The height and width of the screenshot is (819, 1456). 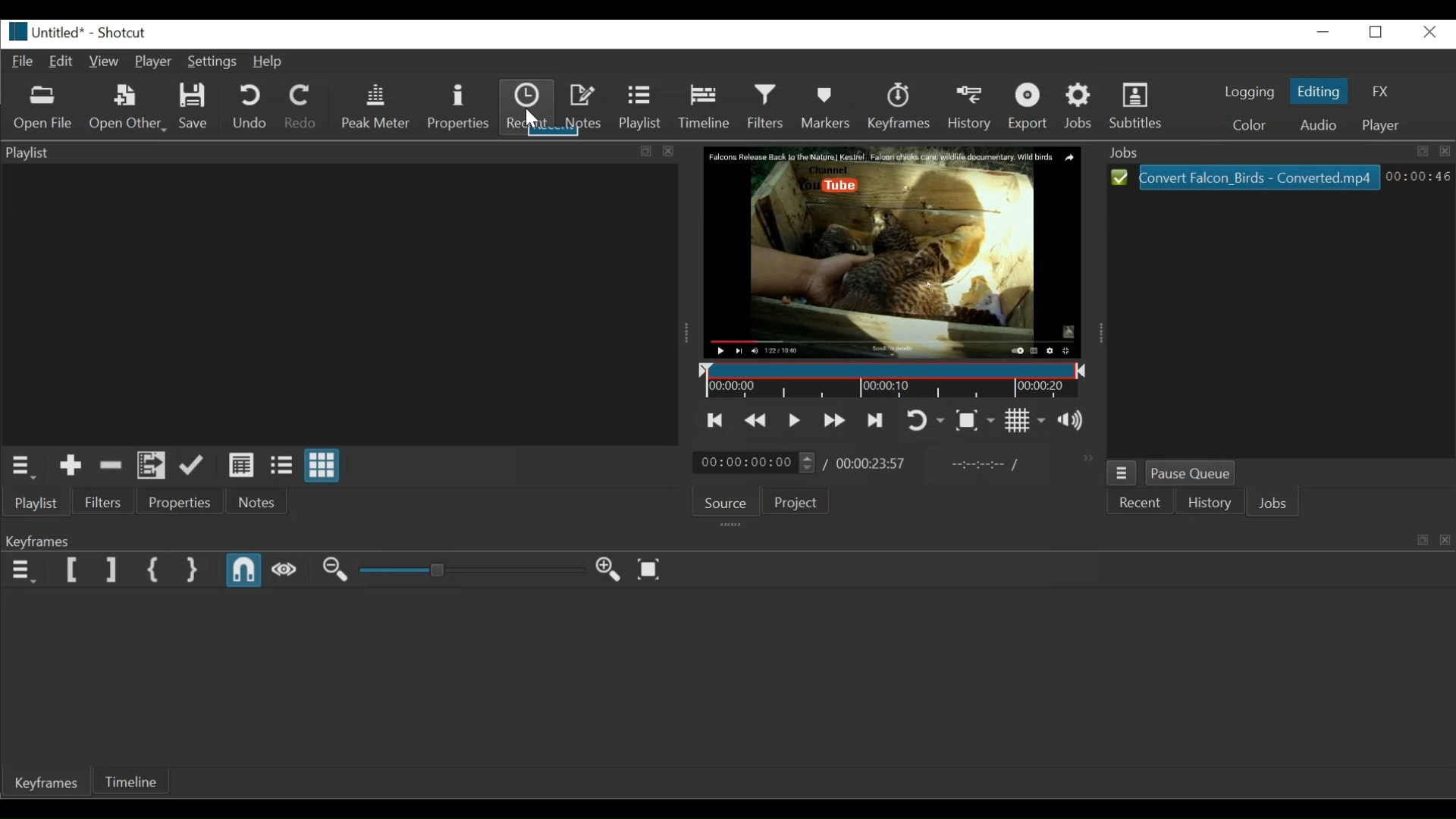 I want to click on Undo, so click(x=249, y=108).